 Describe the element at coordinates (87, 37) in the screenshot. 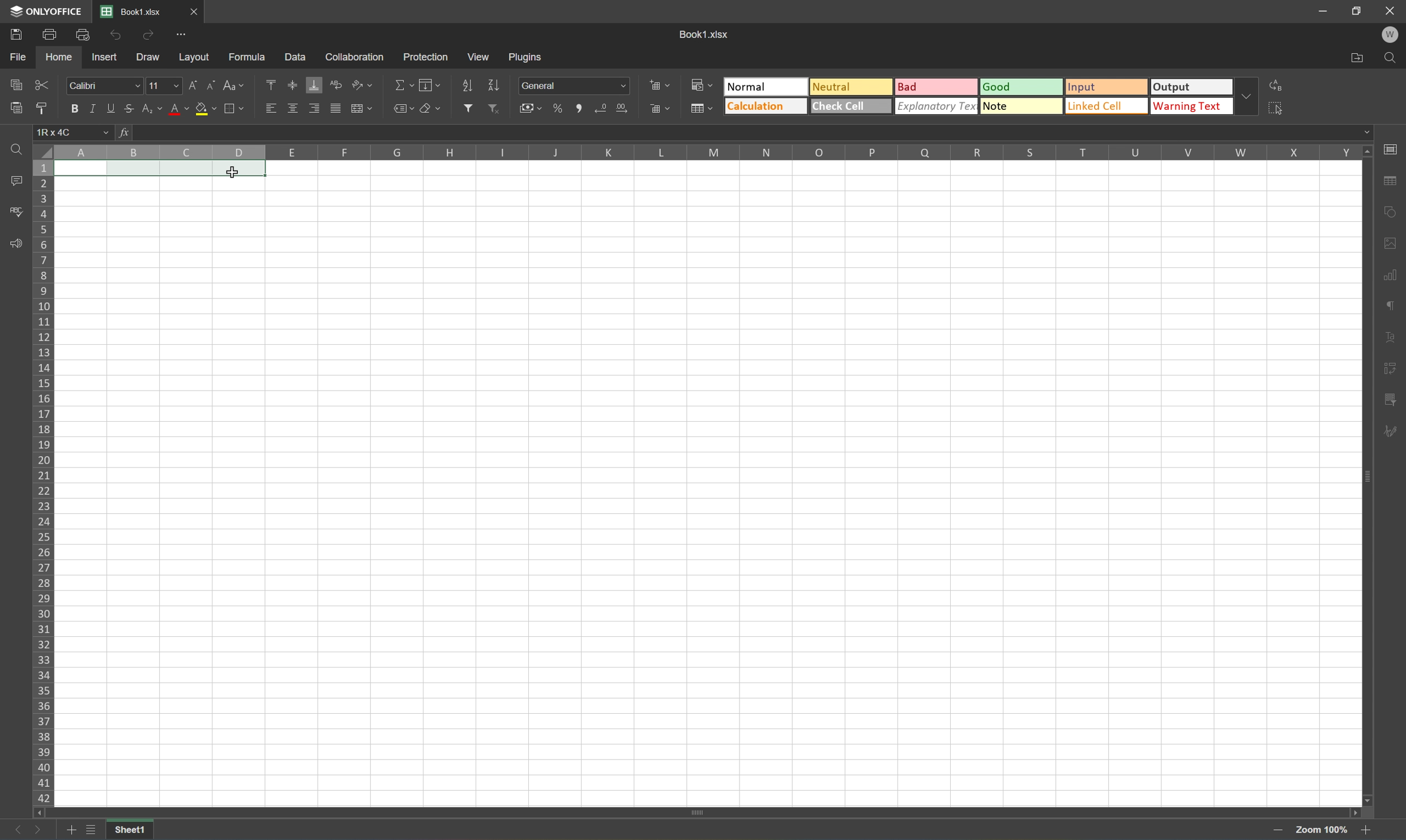

I see `Quick print` at that location.